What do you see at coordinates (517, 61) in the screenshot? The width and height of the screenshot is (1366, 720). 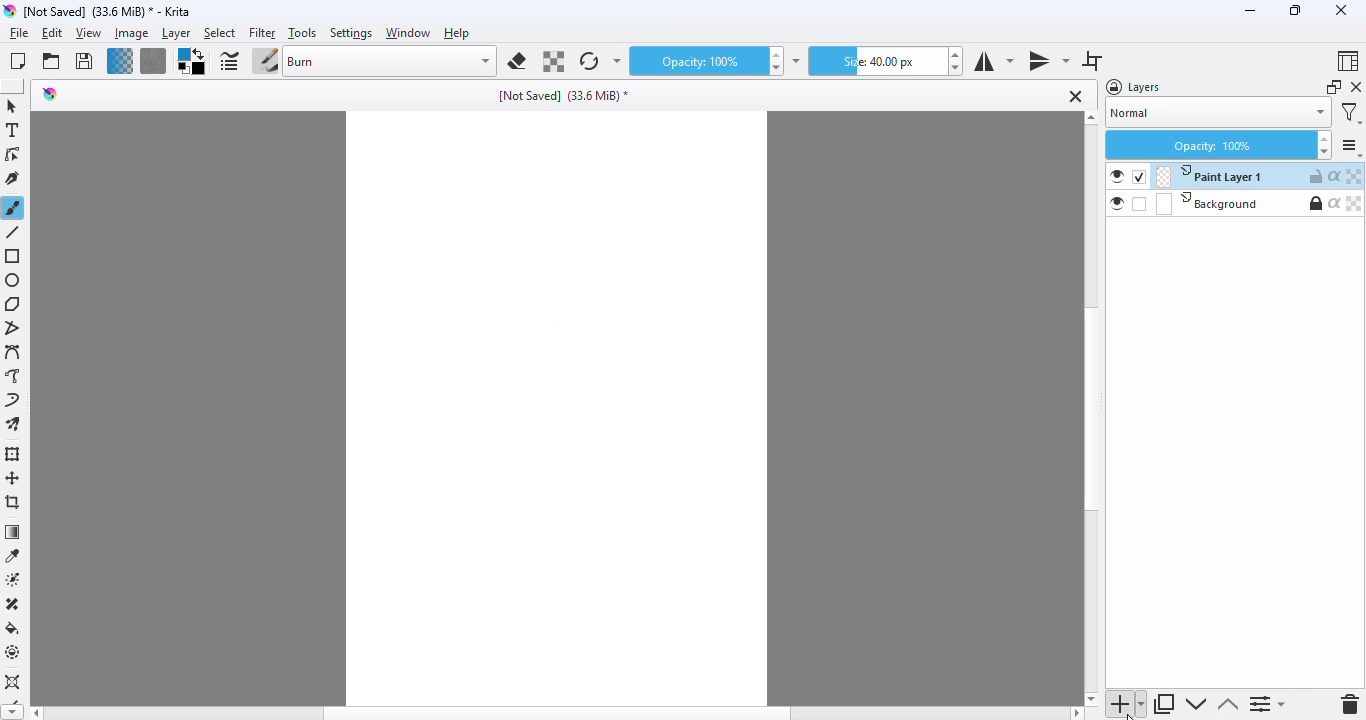 I see `set eraser mode` at bounding box center [517, 61].